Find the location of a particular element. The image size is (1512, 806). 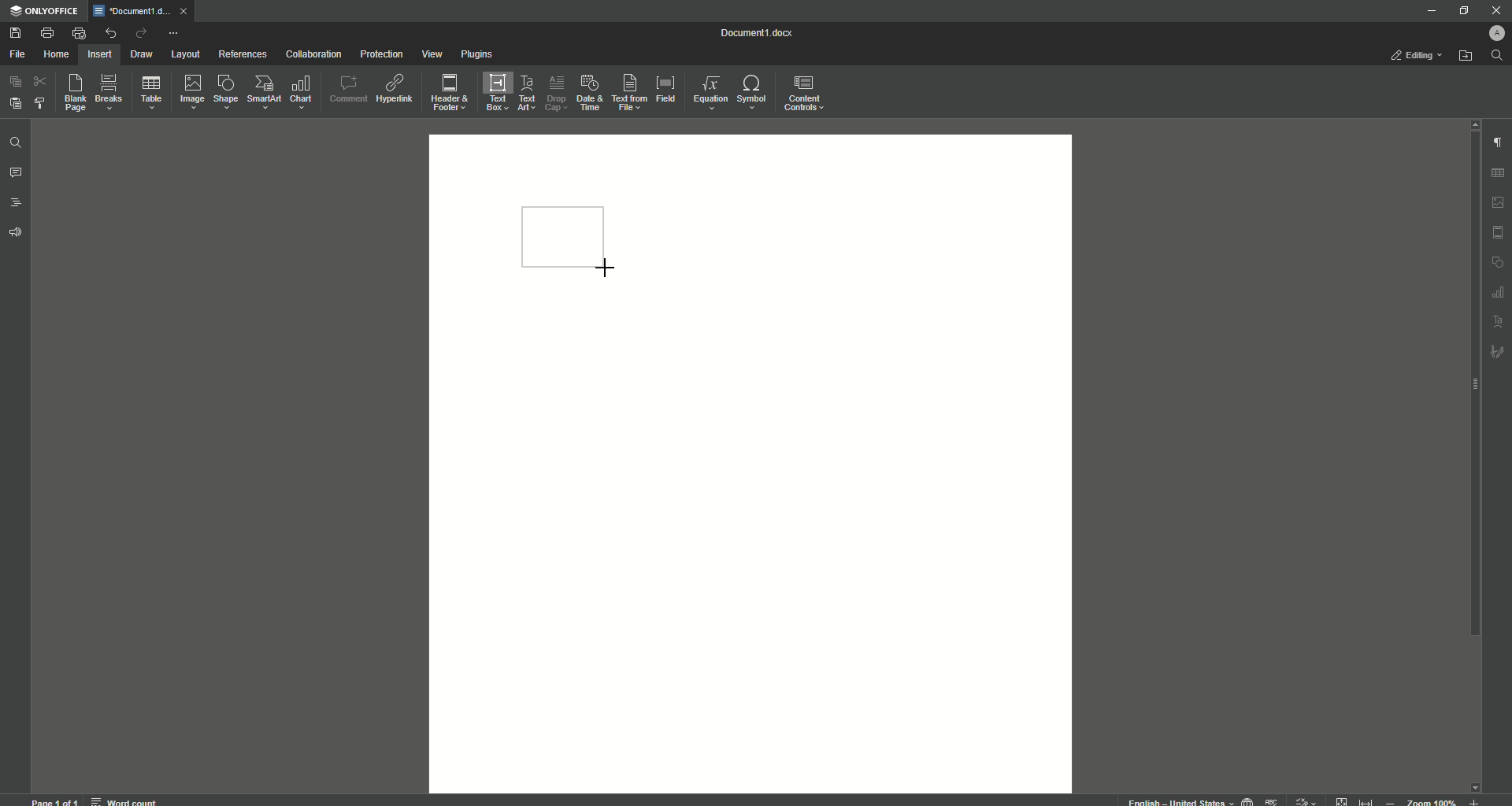

track changes is located at coordinates (1306, 800).